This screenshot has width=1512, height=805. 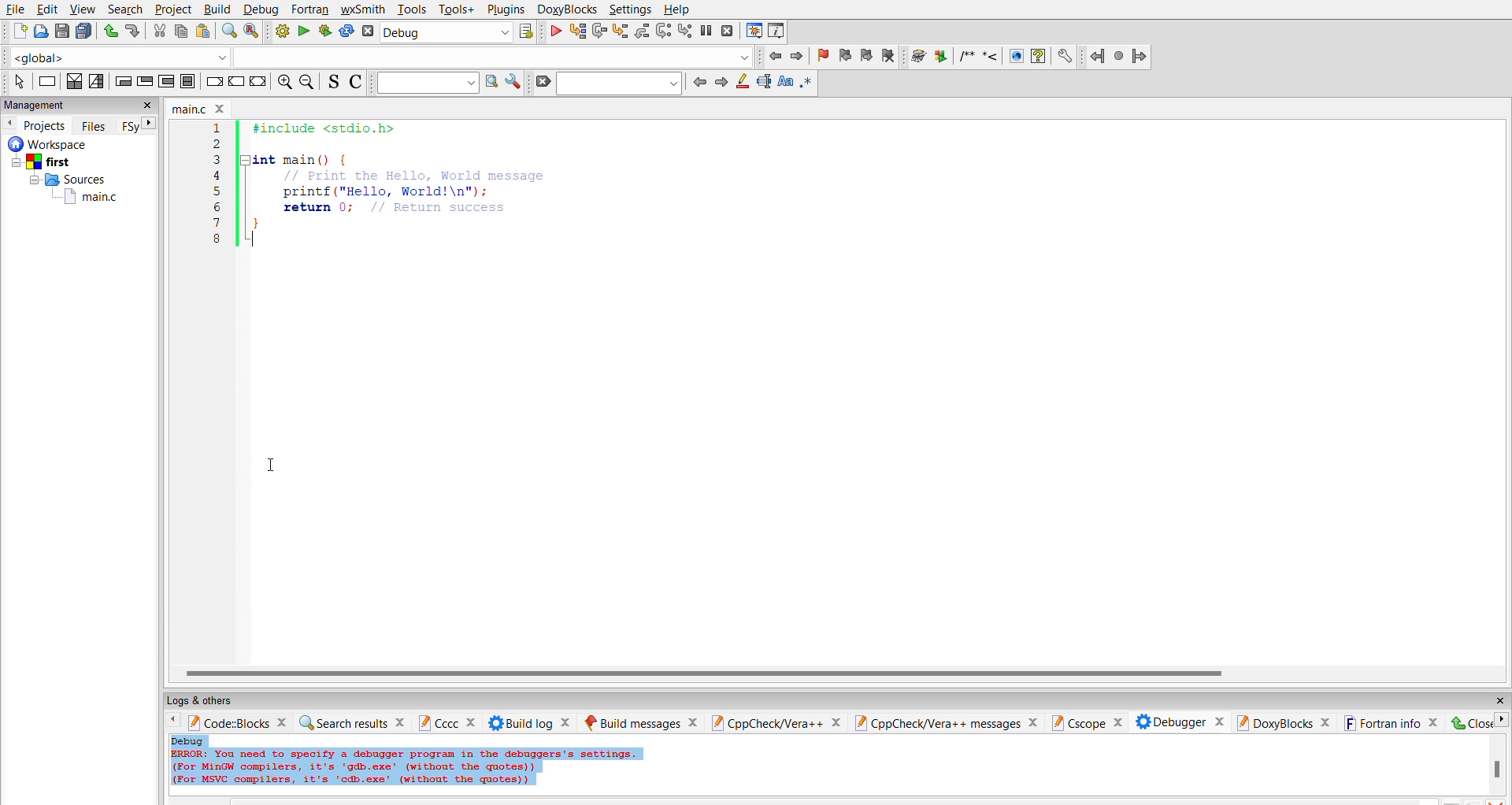 What do you see at coordinates (665, 31) in the screenshot?
I see `next instruction` at bounding box center [665, 31].